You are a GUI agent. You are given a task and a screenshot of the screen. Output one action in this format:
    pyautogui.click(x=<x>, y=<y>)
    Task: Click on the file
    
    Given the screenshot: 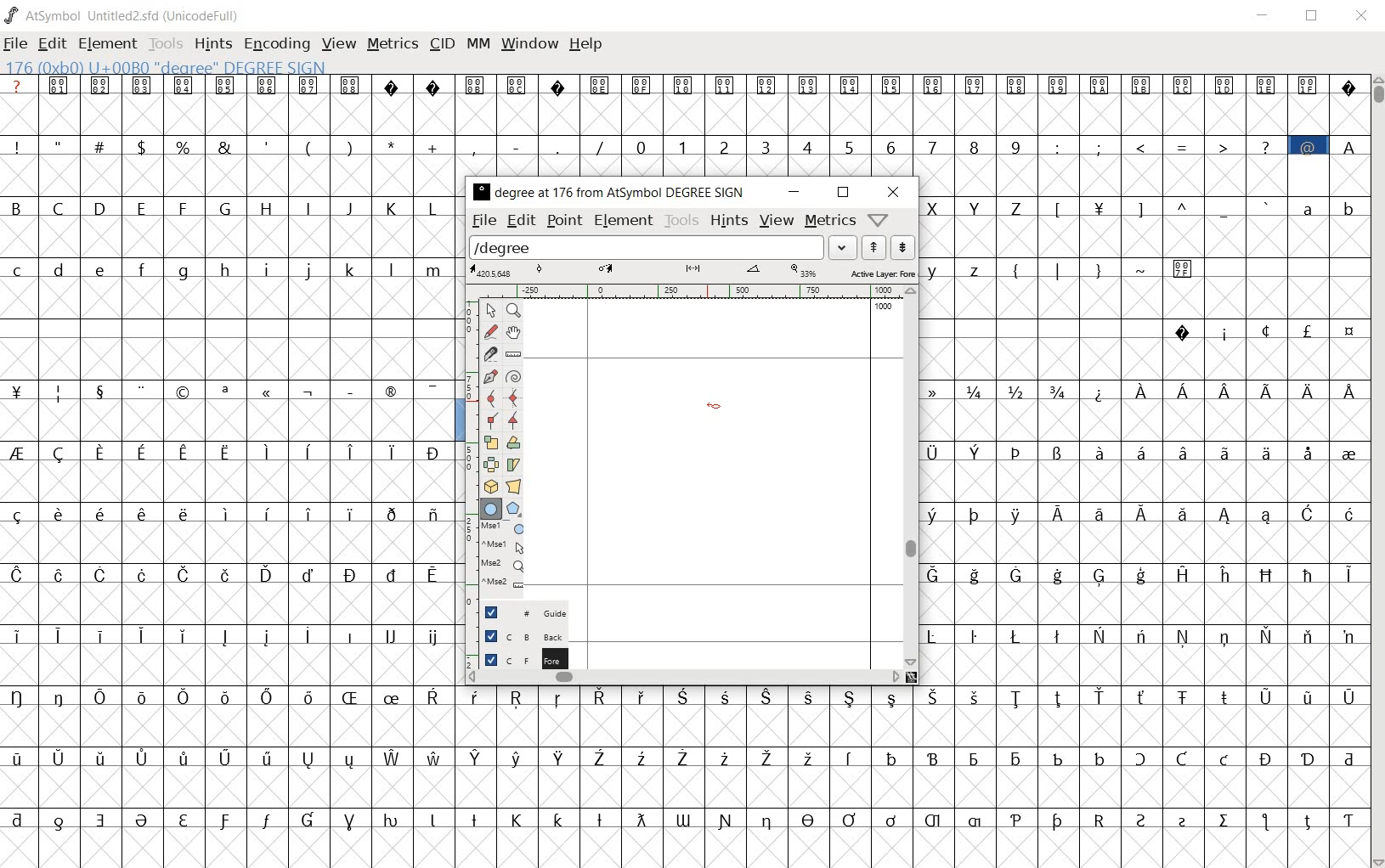 What is the action you would take?
    pyautogui.click(x=15, y=45)
    